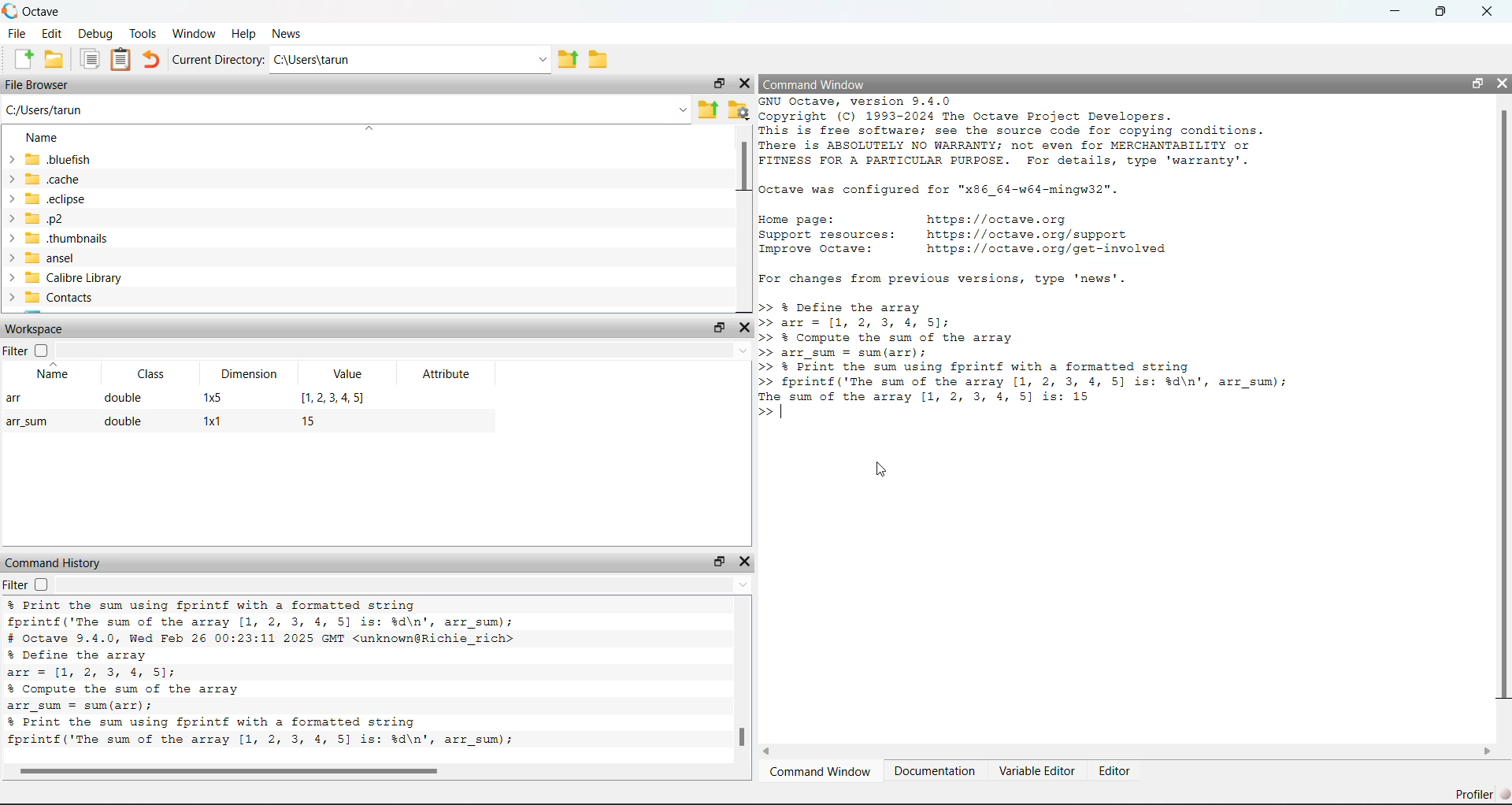 The height and width of the screenshot is (805, 1512). Describe the element at coordinates (54, 560) in the screenshot. I see `Command History` at that location.